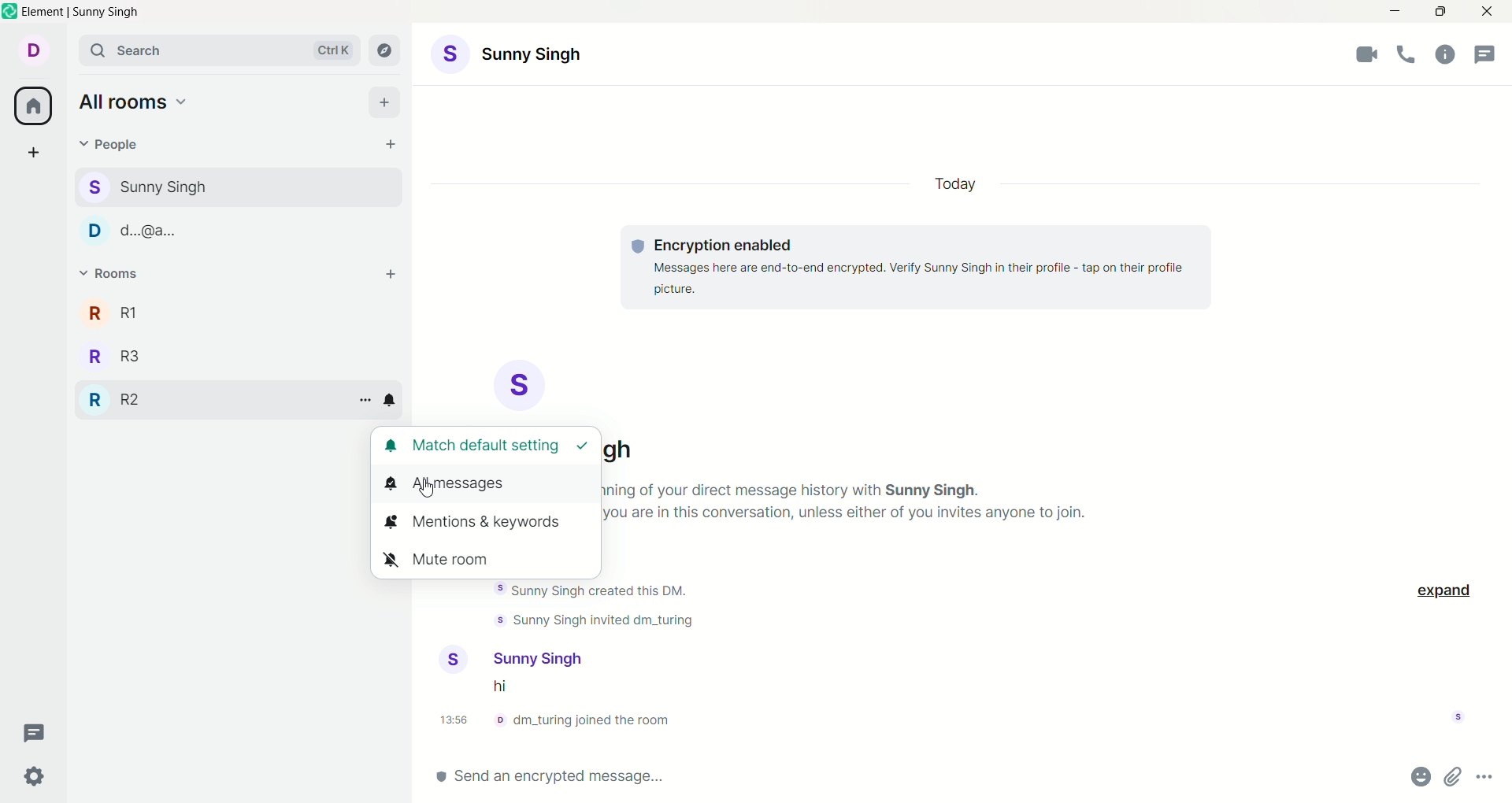  Describe the element at coordinates (589, 720) in the screenshot. I see `info` at that location.